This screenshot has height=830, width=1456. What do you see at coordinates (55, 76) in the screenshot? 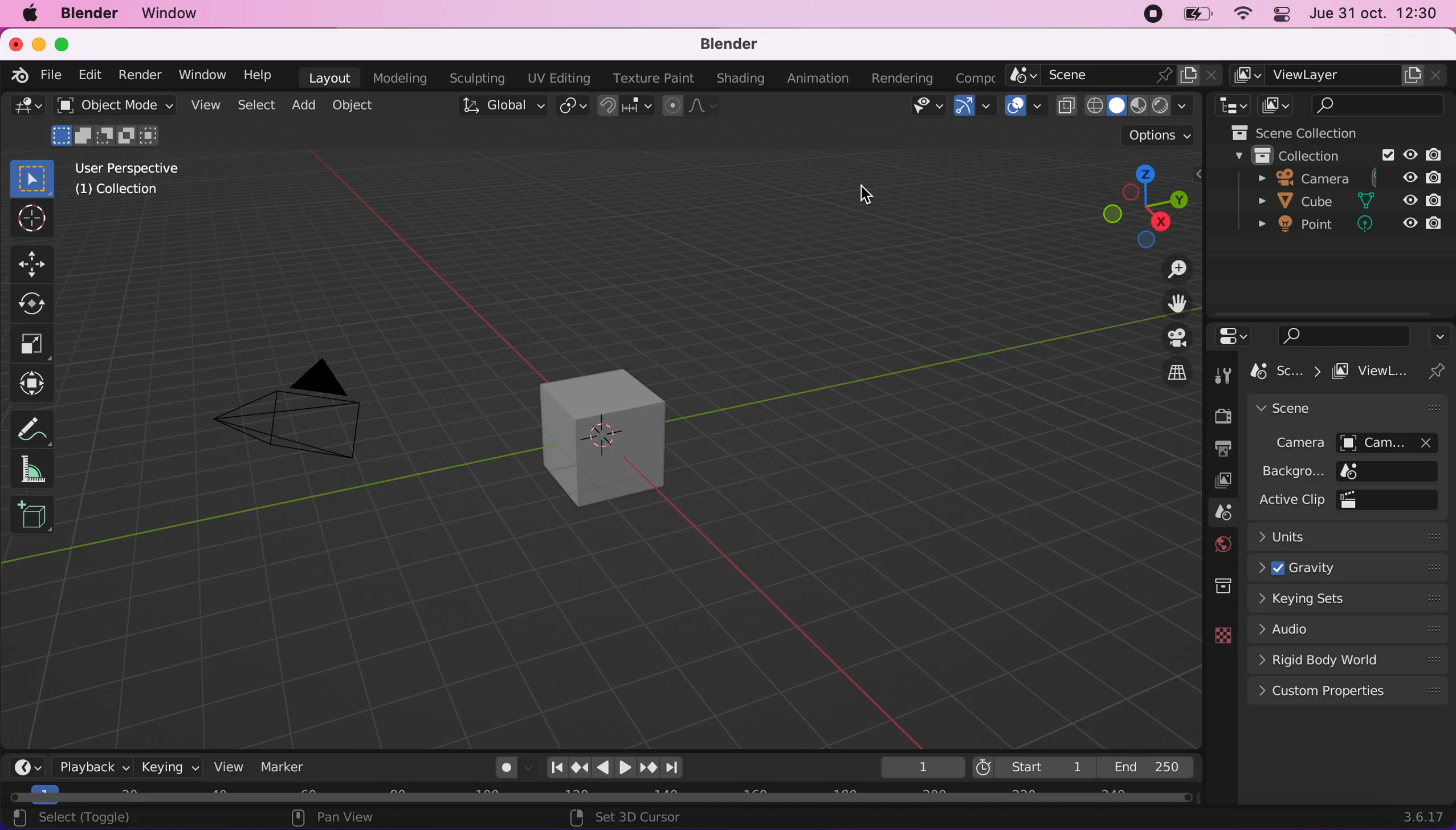
I see `file` at bounding box center [55, 76].